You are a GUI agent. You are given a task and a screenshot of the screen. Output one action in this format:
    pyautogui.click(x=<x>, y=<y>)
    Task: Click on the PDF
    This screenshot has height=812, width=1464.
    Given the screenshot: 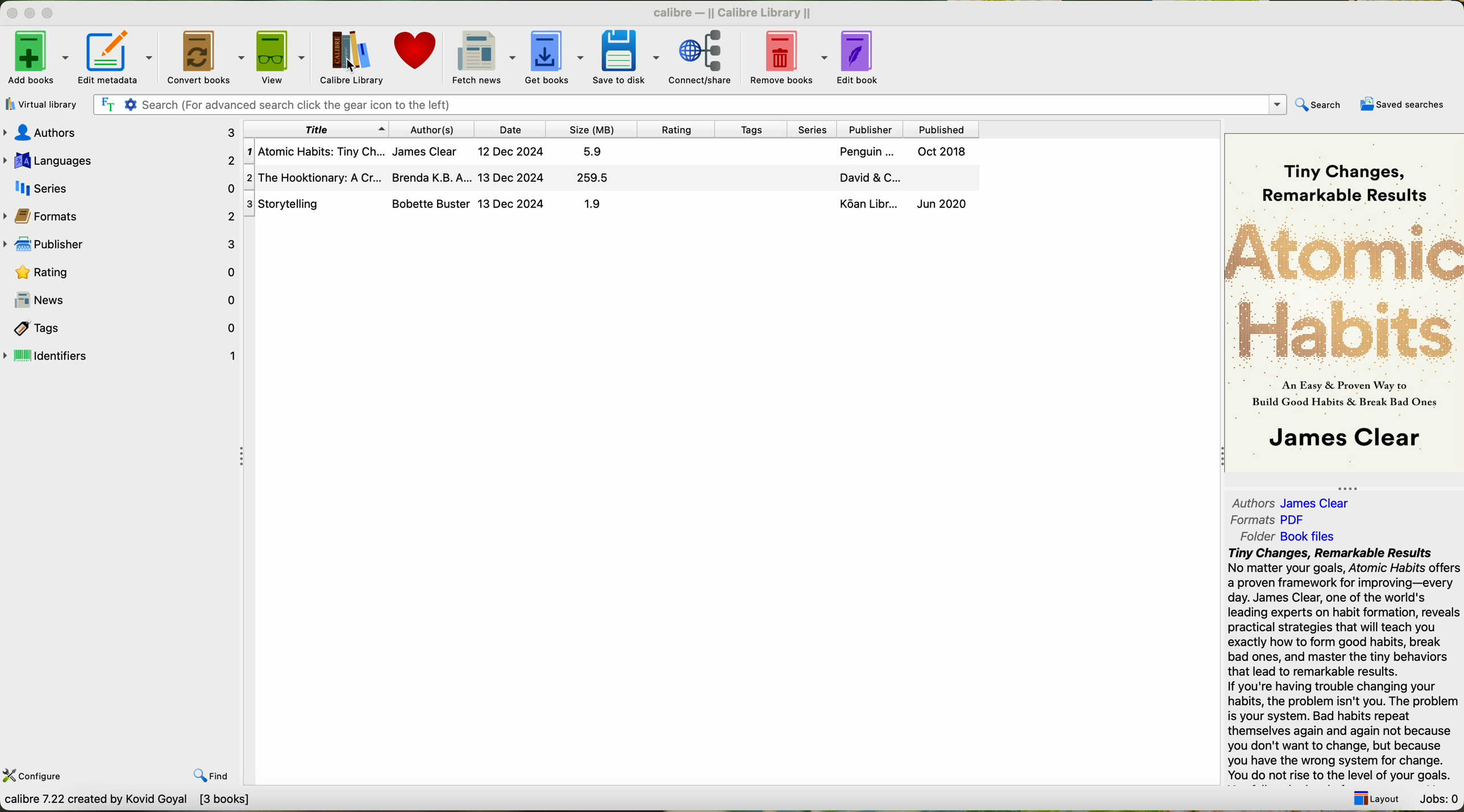 What is the action you would take?
    pyautogui.click(x=1299, y=519)
    